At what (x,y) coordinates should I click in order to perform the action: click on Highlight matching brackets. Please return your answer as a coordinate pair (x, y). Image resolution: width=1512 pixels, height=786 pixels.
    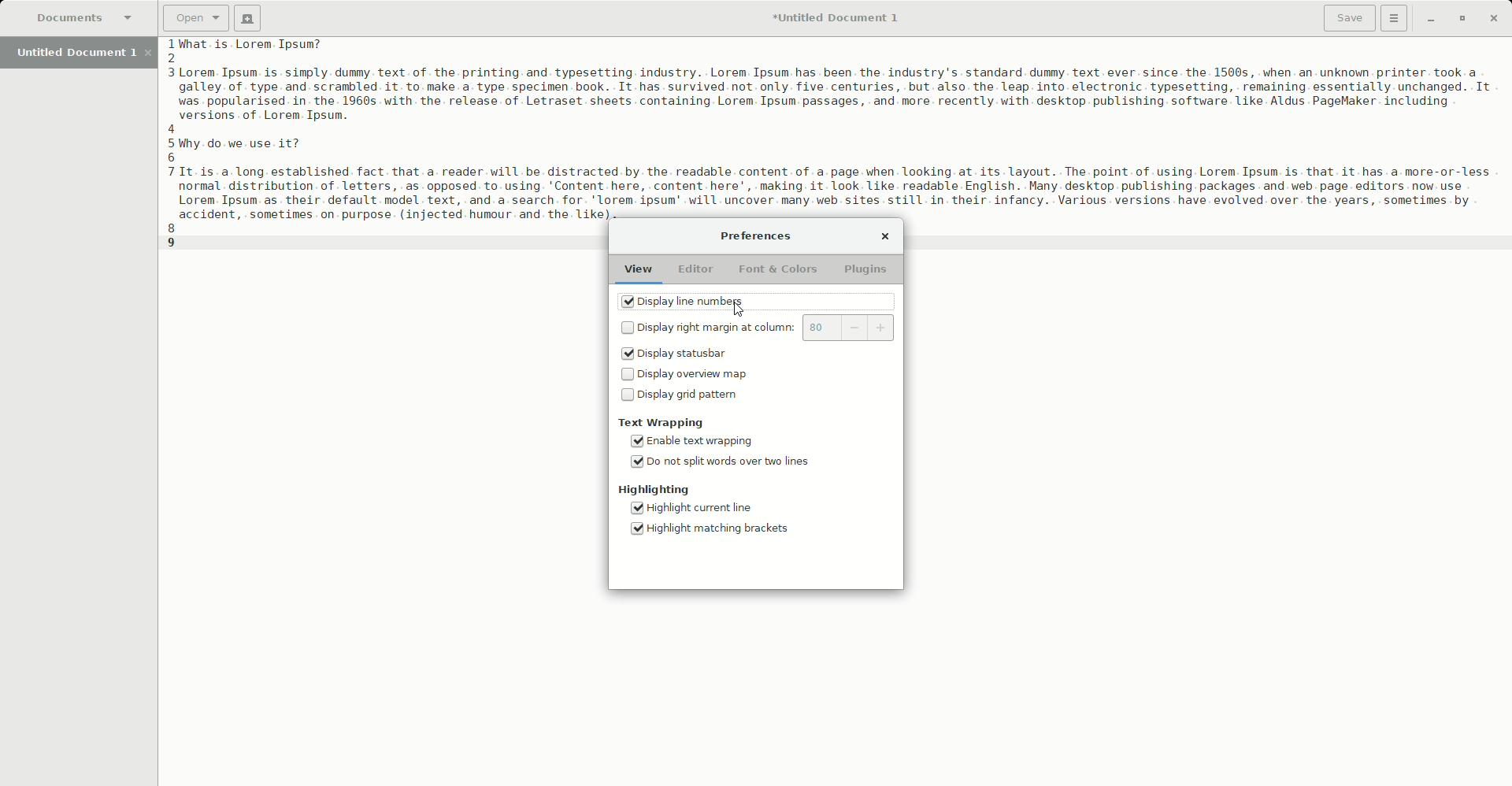
    Looking at the image, I should click on (711, 530).